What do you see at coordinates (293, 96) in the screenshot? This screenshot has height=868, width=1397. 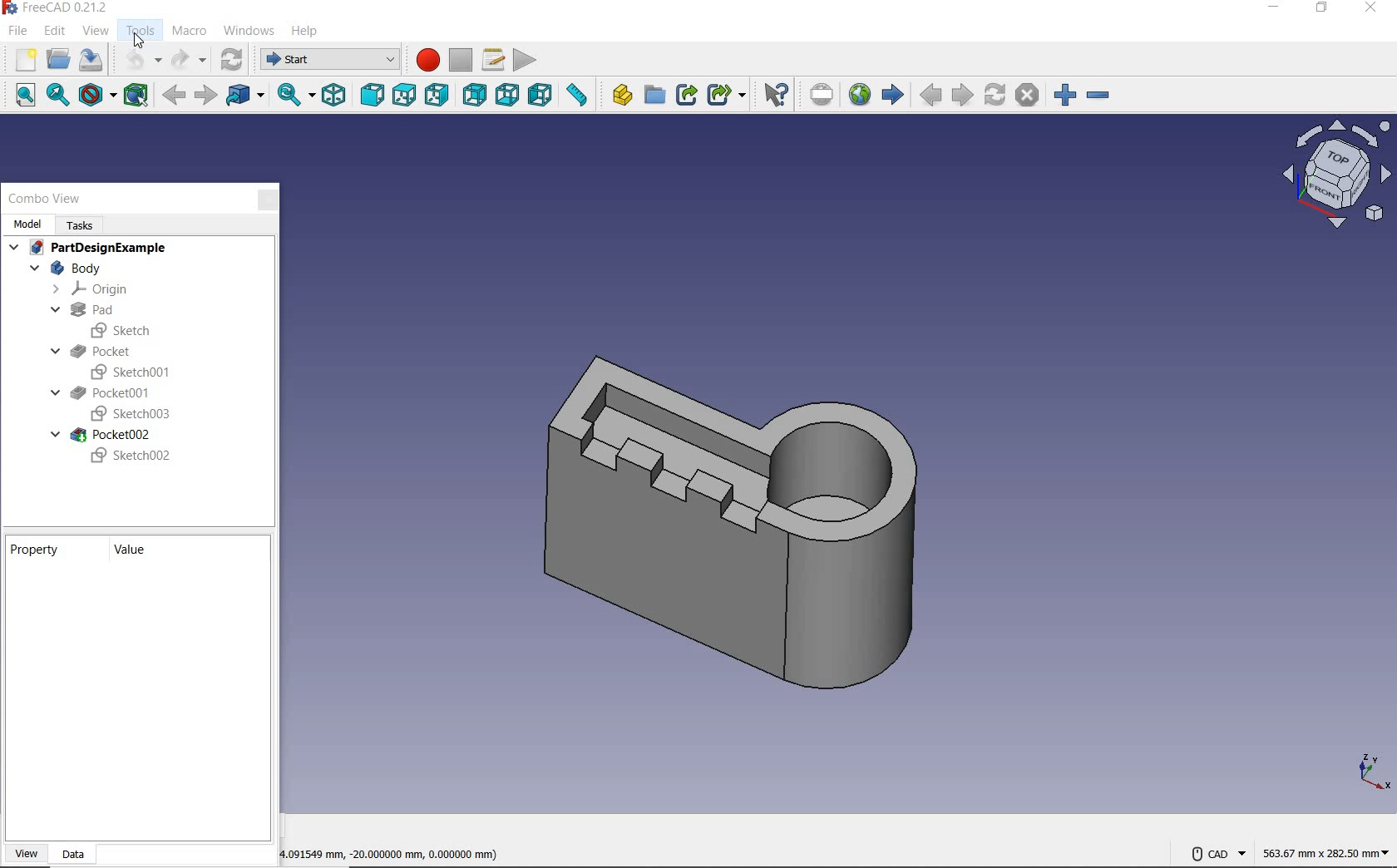 I see `Sync view` at bounding box center [293, 96].